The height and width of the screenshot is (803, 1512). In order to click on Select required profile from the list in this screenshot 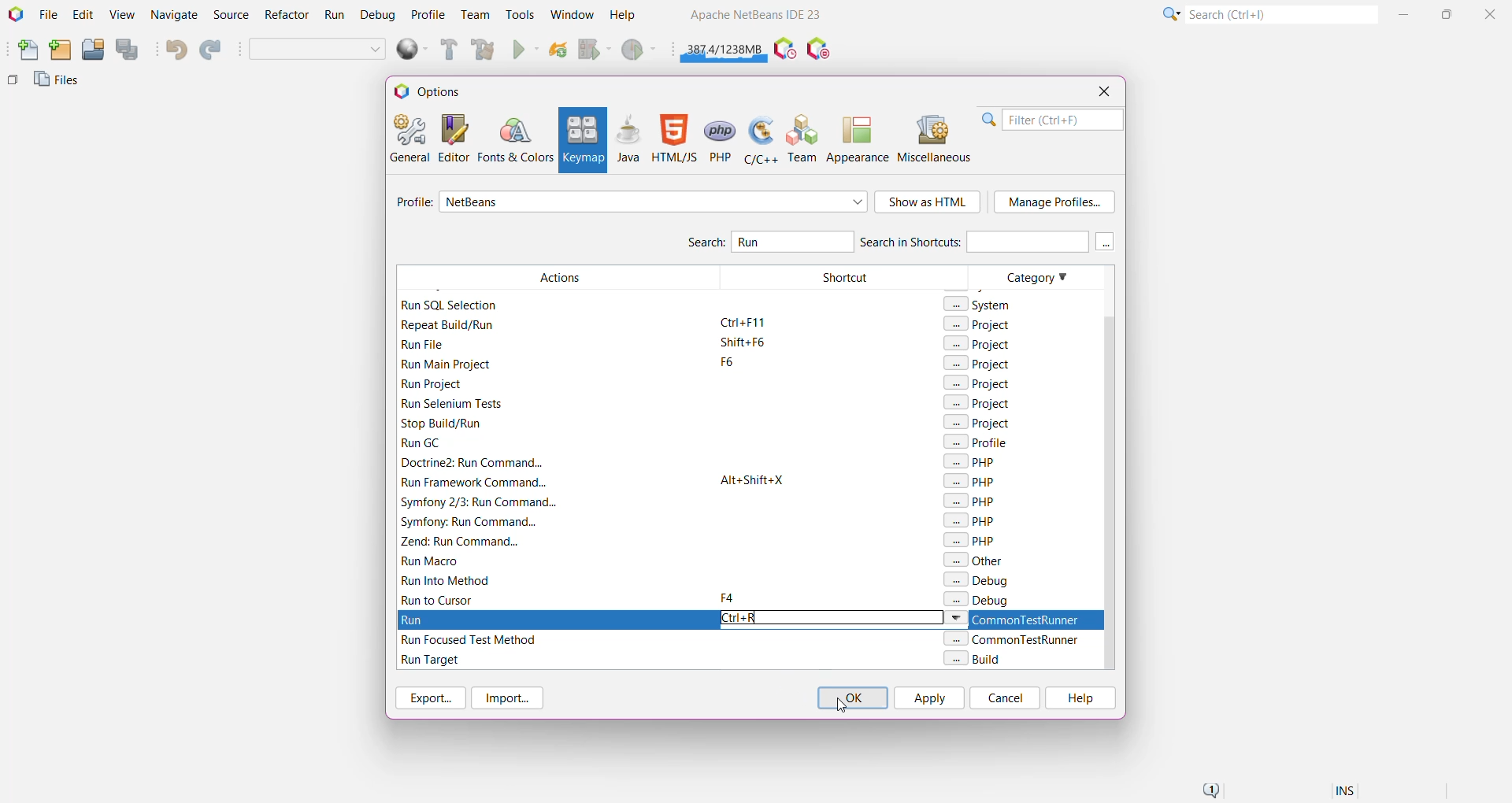, I will do `click(654, 202)`.